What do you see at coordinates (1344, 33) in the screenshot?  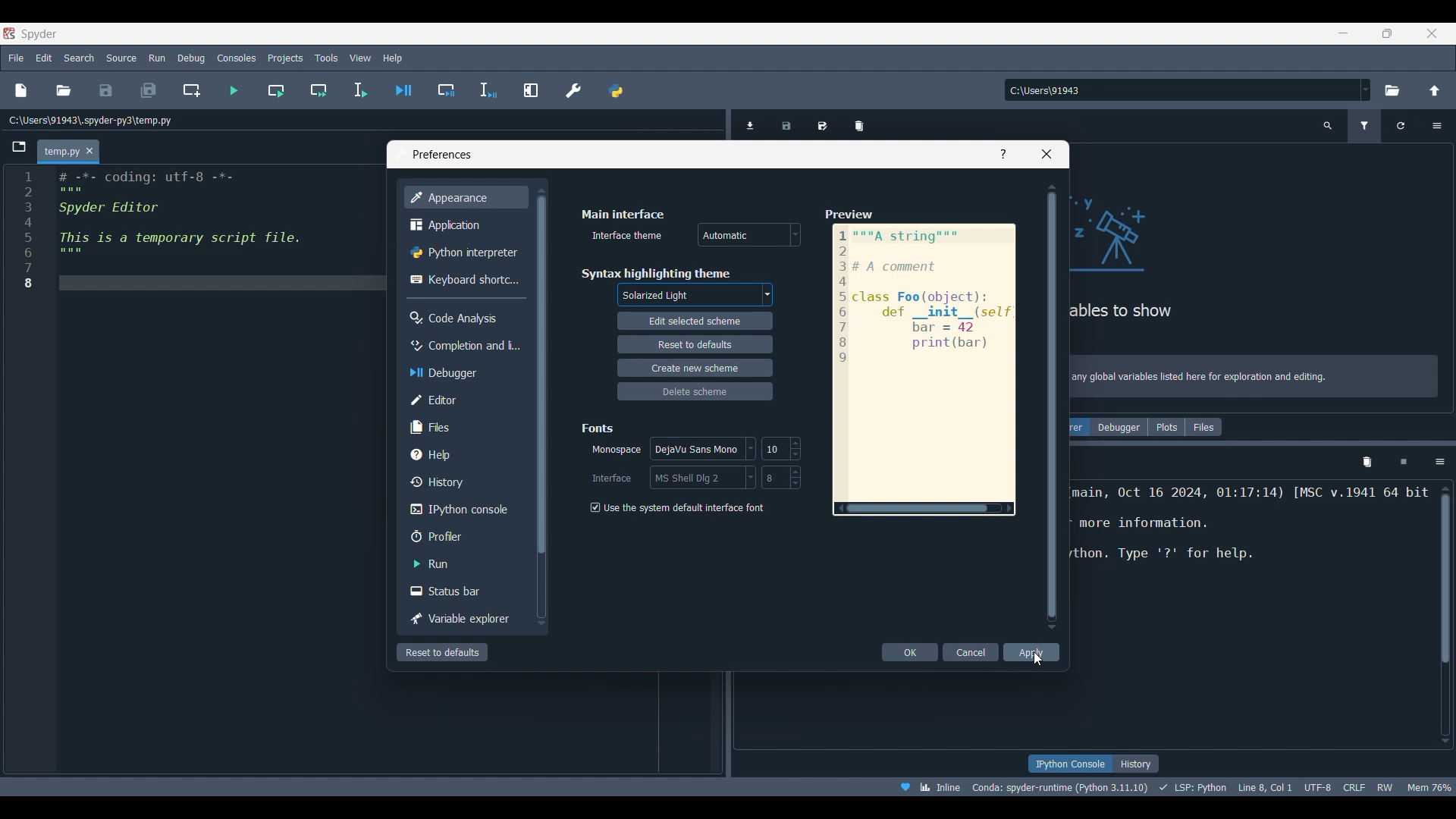 I see `Minimize` at bounding box center [1344, 33].